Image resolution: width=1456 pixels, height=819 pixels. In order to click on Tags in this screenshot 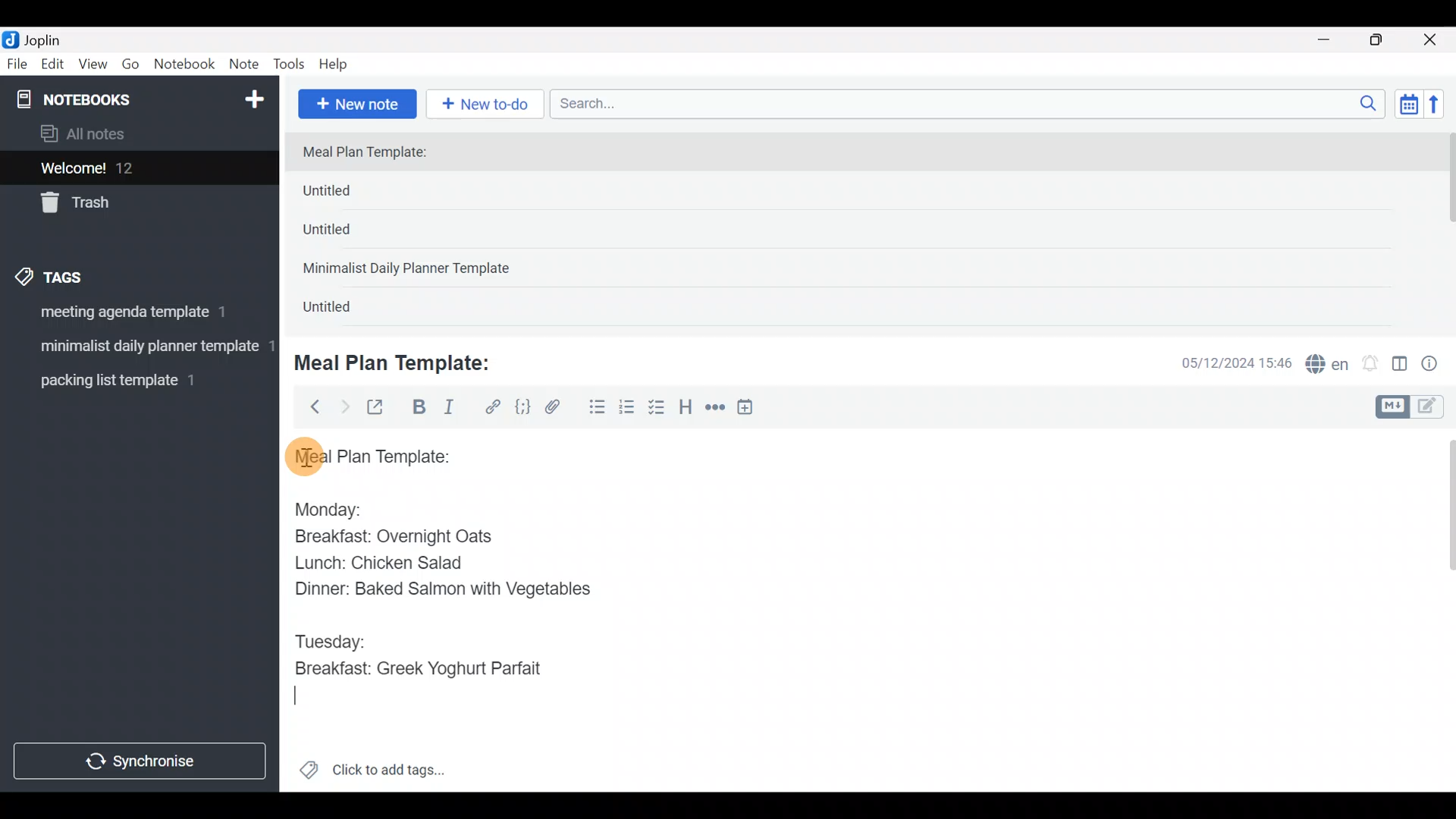, I will do `click(85, 275)`.